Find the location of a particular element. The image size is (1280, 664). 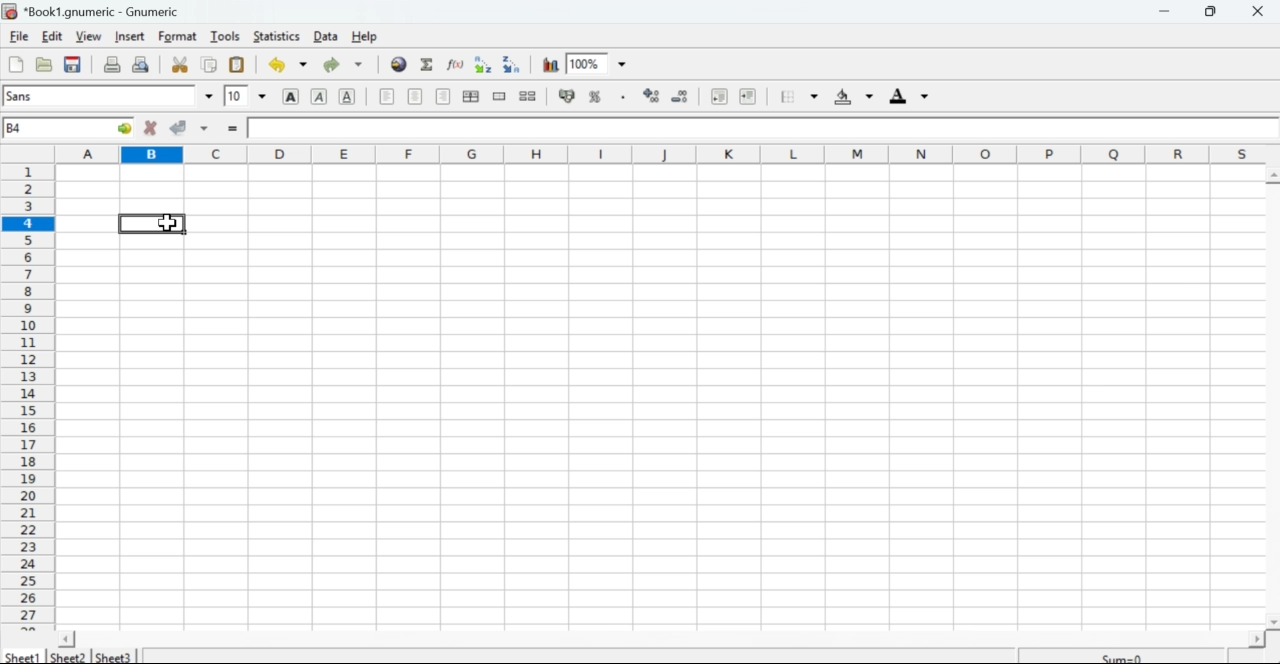

Formula is located at coordinates (455, 65).